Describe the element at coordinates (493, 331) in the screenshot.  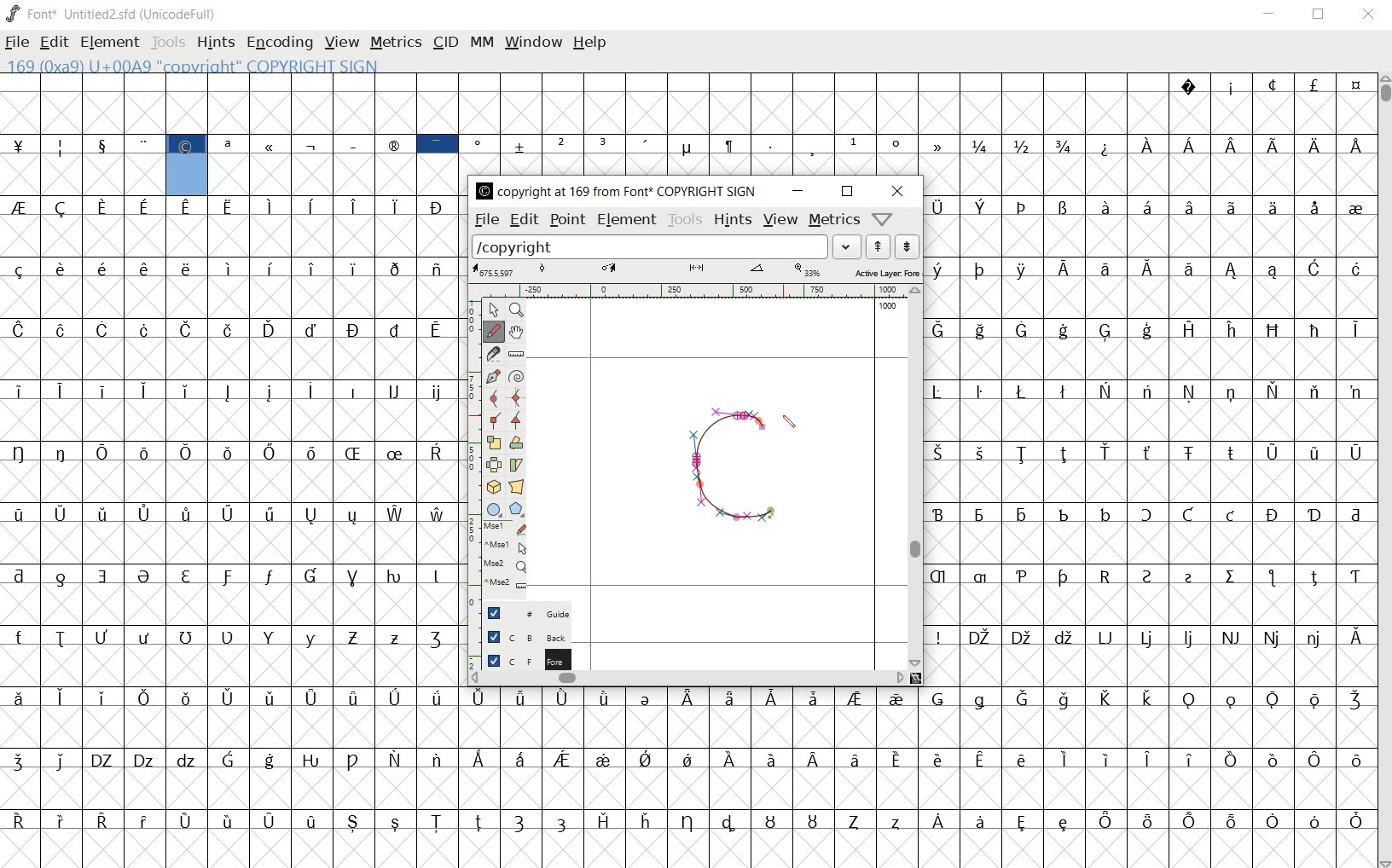
I see `draw a freehand curve` at that location.